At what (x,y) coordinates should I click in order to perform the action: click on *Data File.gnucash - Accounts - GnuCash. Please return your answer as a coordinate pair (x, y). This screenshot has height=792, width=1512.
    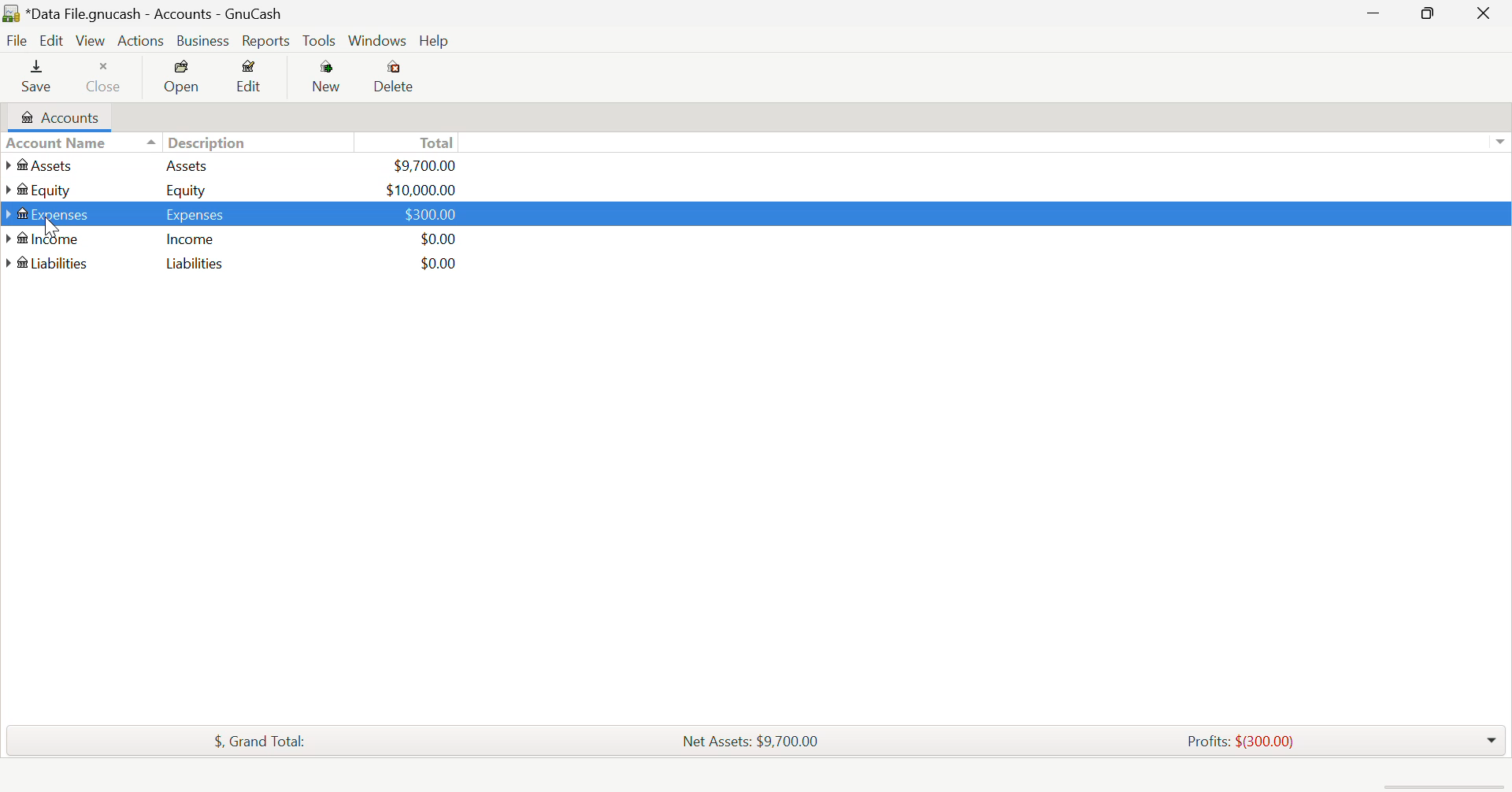
    Looking at the image, I should click on (154, 13).